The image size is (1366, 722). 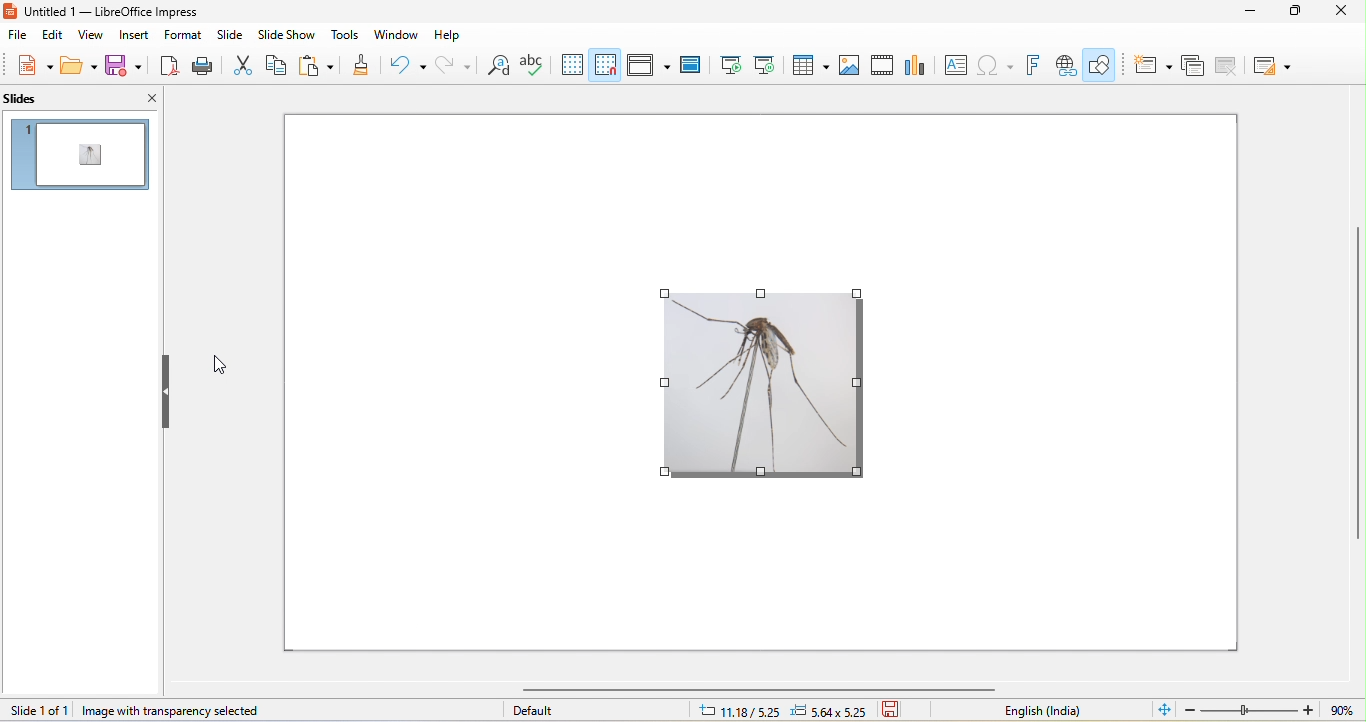 What do you see at coordinates (203, 66) in the screenshot?
I see `Print` at bounding box center [203, 66].